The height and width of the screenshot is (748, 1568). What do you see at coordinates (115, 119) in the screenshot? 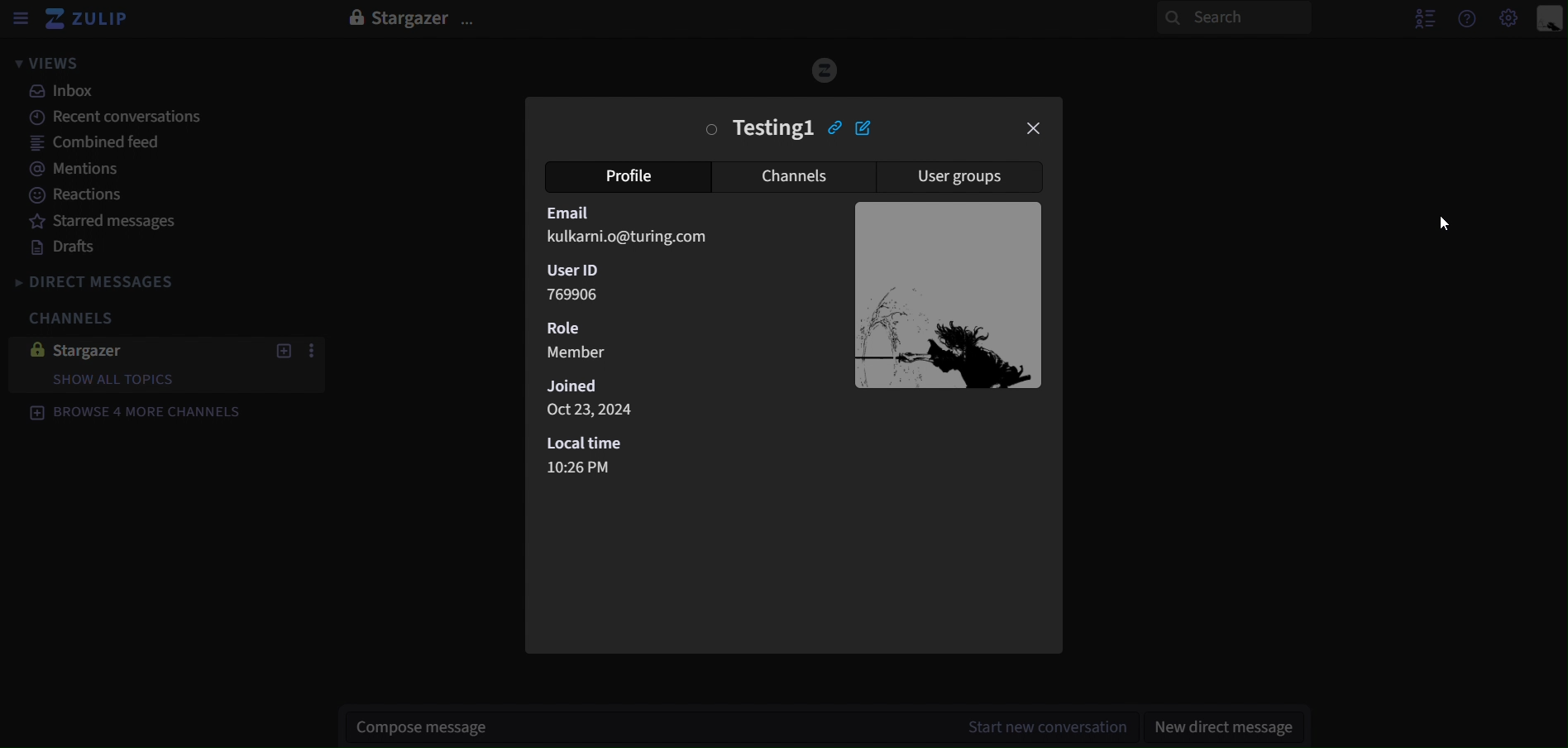
I see `recent conversations` at bounding box center [115, 119].